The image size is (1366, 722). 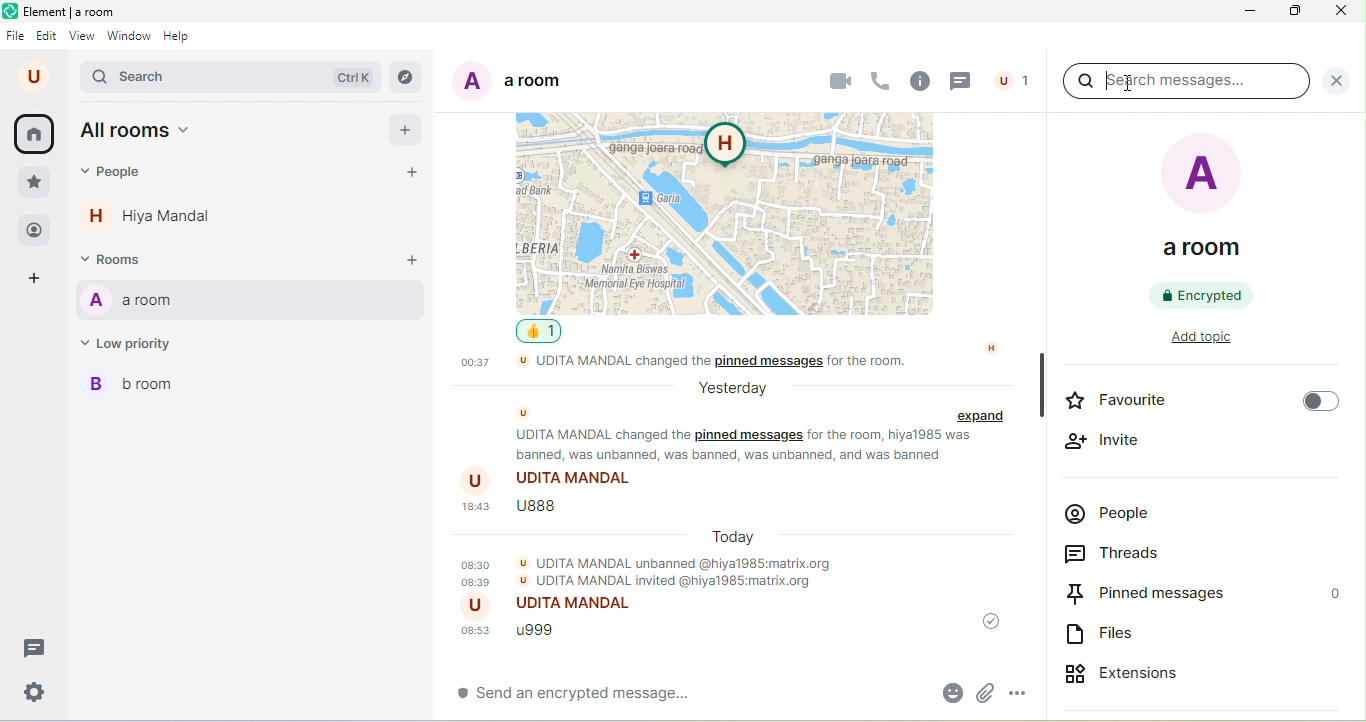 I want to click on emoji, so click(x=947, y=692).